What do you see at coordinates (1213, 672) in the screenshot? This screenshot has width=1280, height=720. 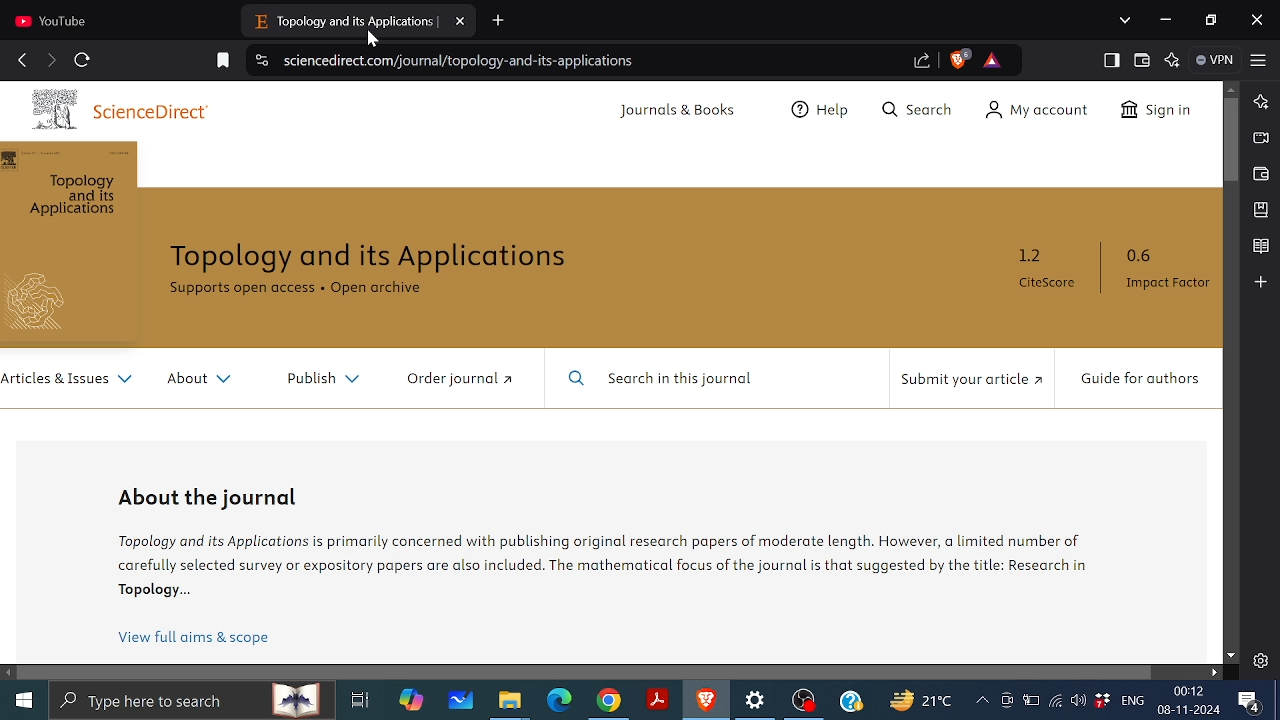 I see `Move right` at bounding box center [1213, 672].